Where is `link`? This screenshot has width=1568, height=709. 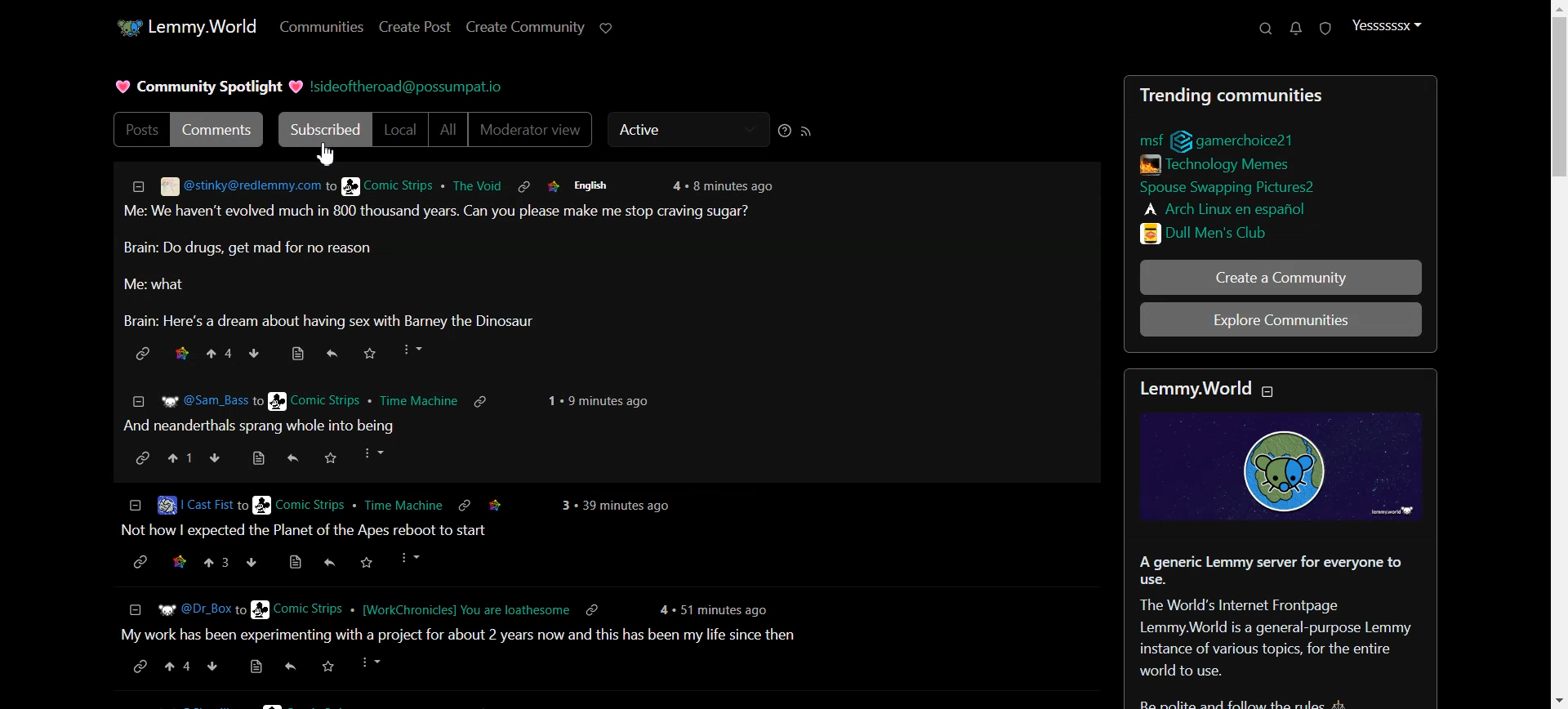
link is located at coordinates (483, 399).